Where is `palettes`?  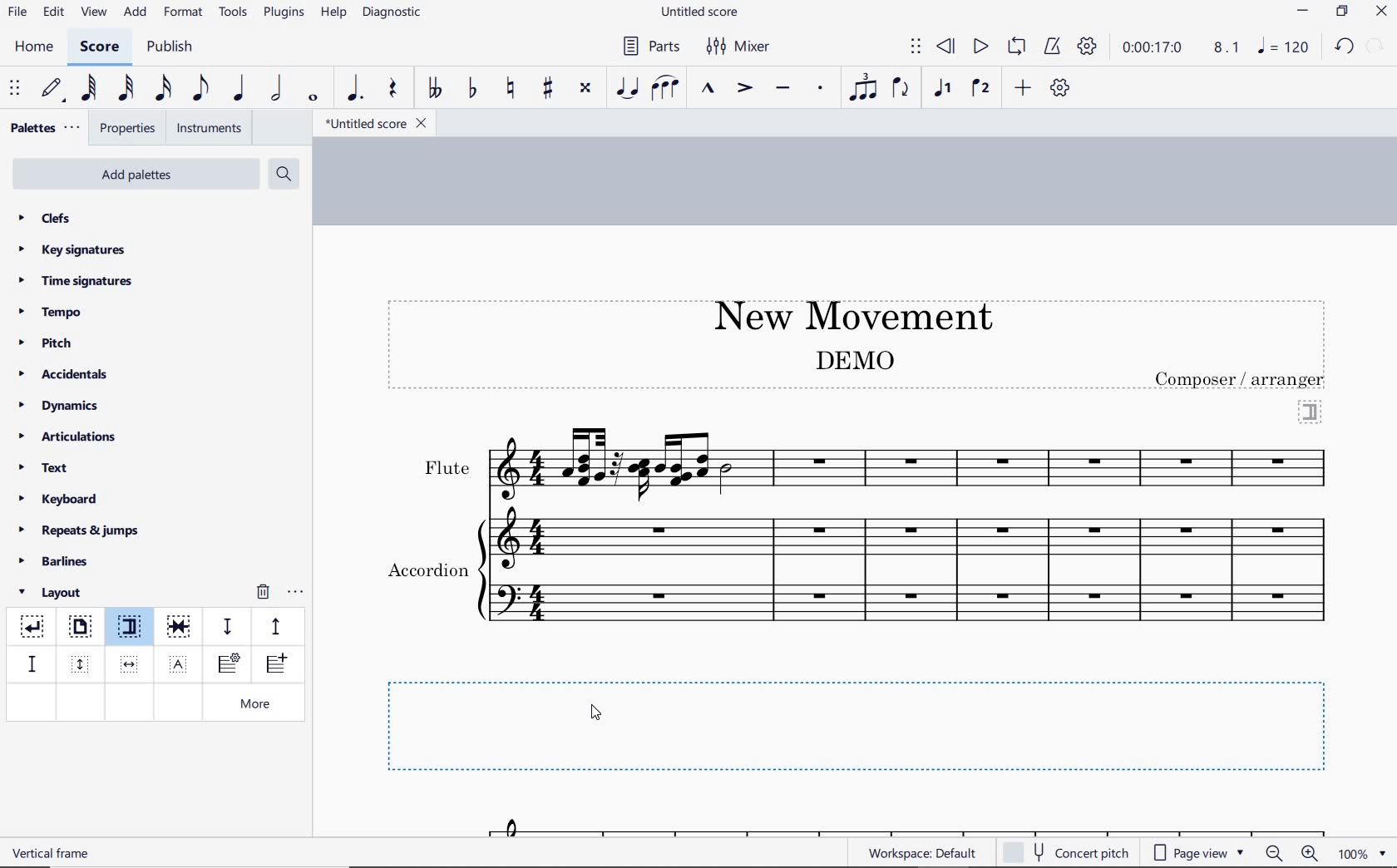
palettes is located at coordinates (43, 129).